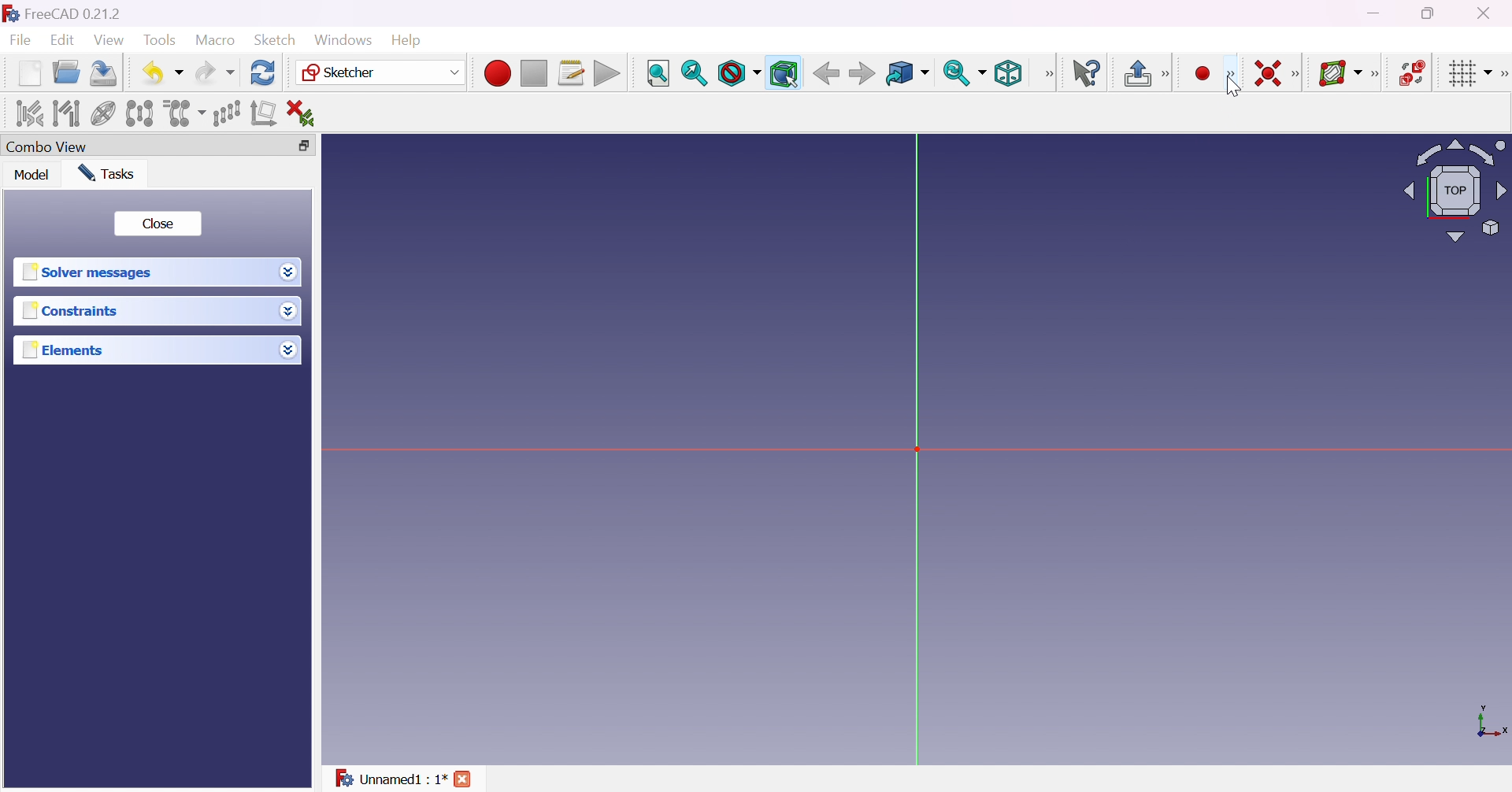 This screenshot has height=792, width=1512. Describe the element at coordinates (1340, 72) in the screenshot. I see `Show/hide B-spline information layer` at that location.